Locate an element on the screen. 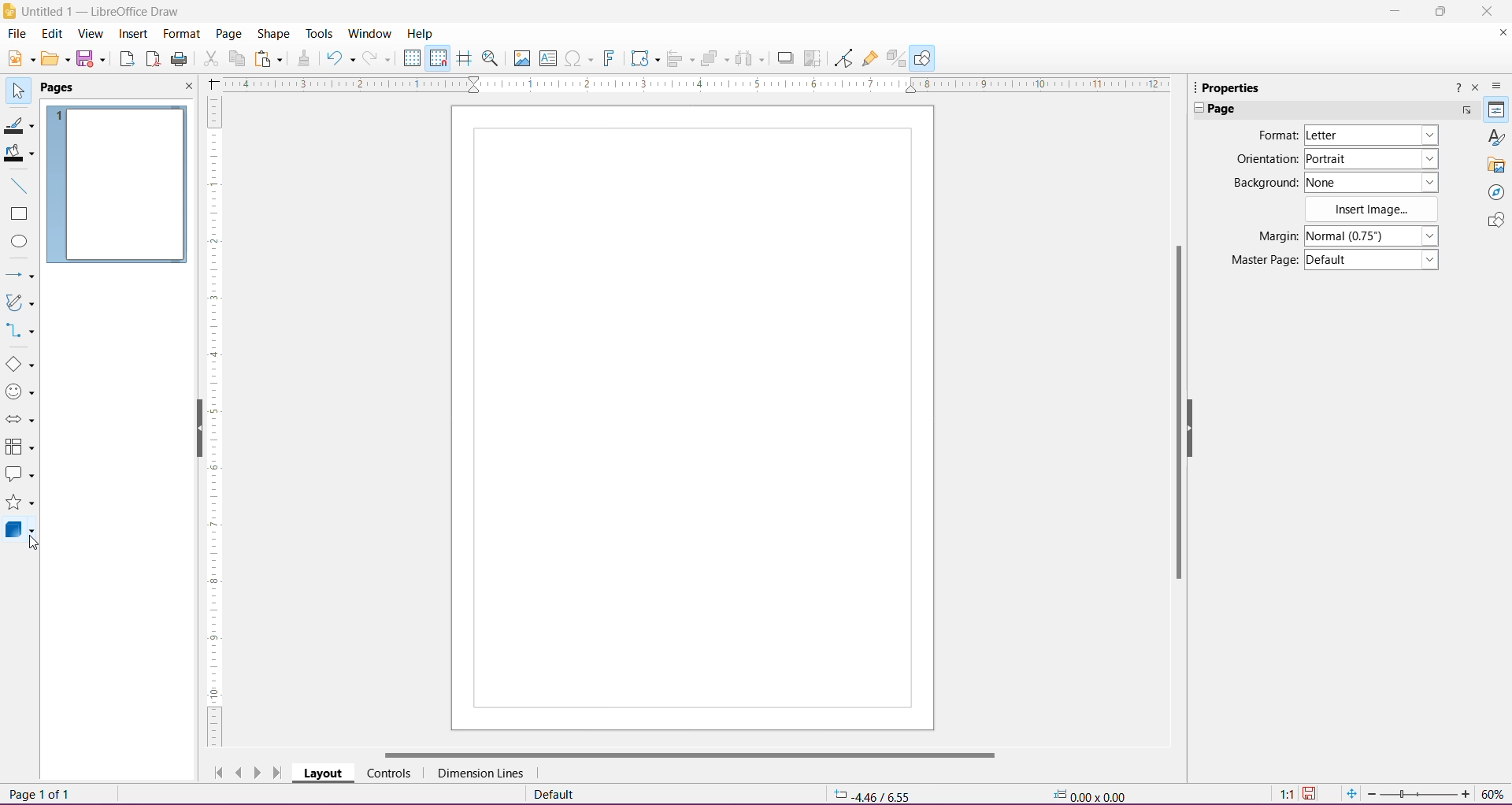 The image size is (1512, 805). Basic Shapes is located at coordinates (20, 364).